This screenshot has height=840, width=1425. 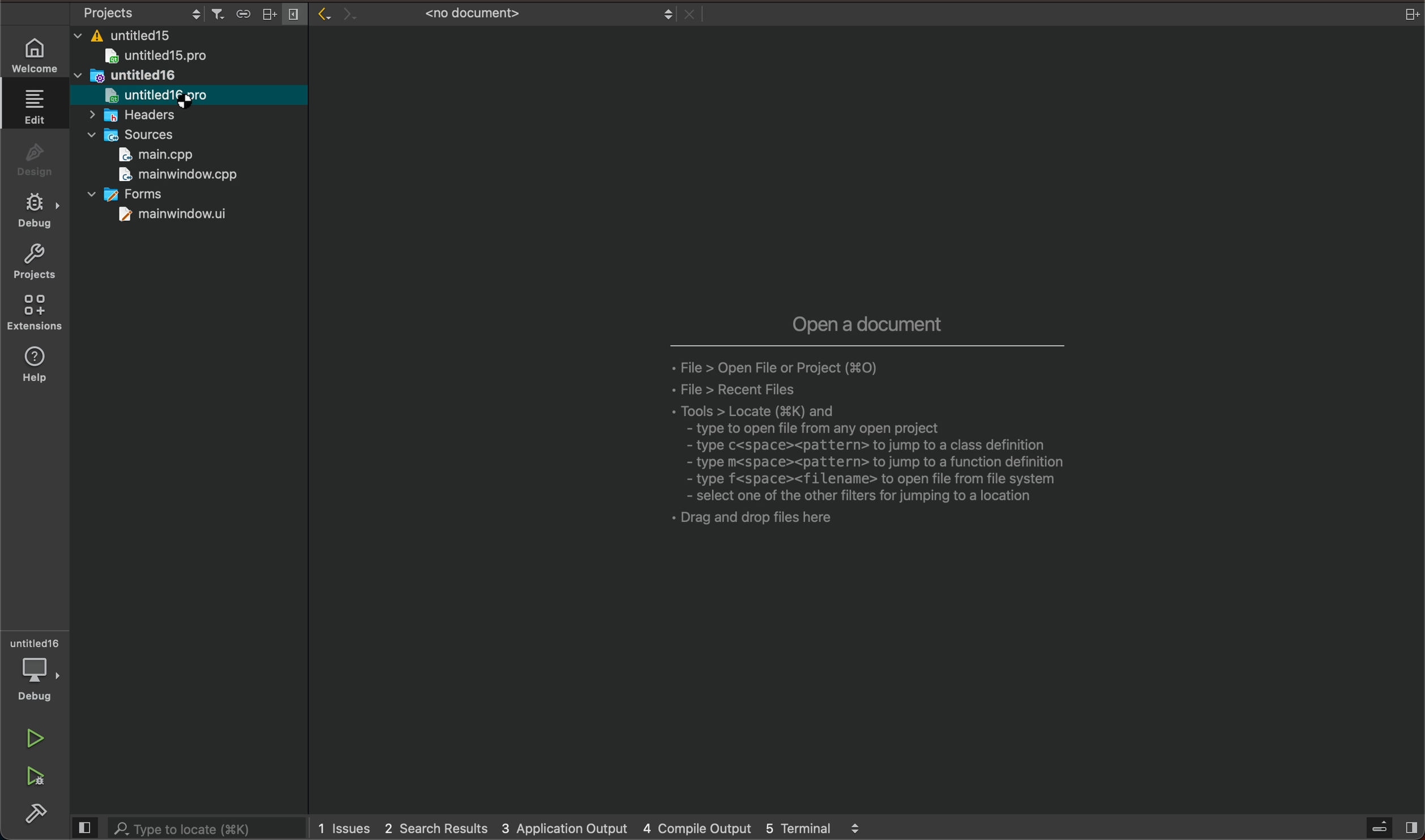 What do you see at coordinates (38, 314) in the screenshot?
I see `Extension ` at bounding box center [38, 314].